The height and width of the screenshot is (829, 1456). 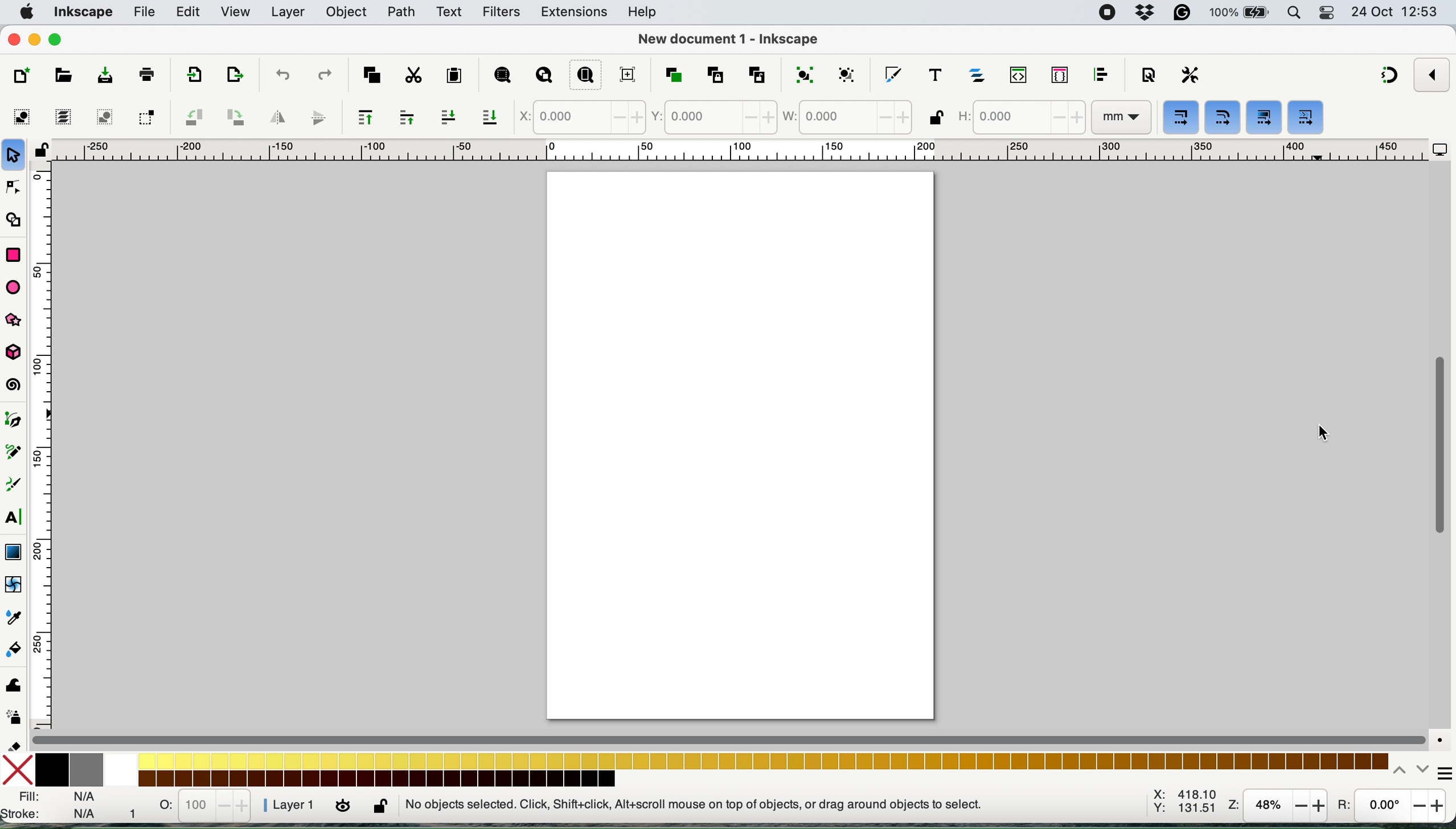 I want to click on color palaette, so click(x=712, y=768).